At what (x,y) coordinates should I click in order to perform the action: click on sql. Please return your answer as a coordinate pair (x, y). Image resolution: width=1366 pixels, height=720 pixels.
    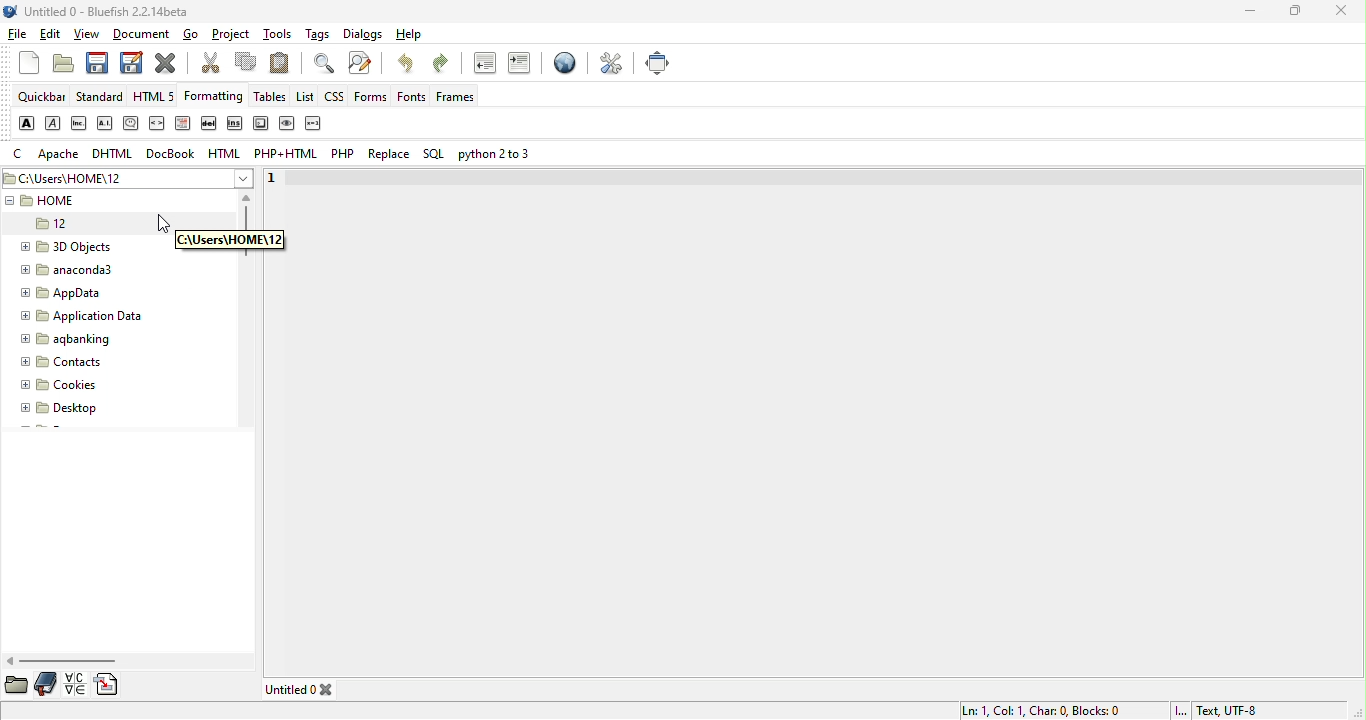
    Looking at the image, I should click on (437, 152).